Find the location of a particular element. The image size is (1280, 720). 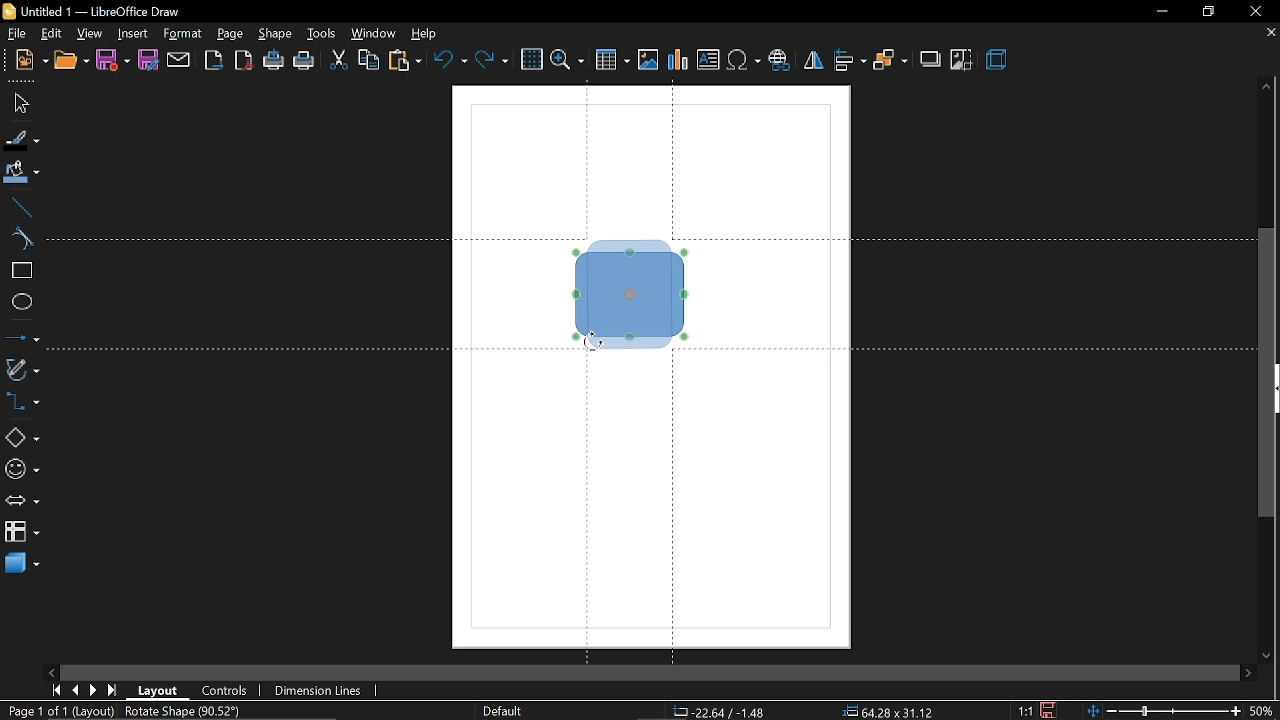

view is located at coordinates (91, 35).